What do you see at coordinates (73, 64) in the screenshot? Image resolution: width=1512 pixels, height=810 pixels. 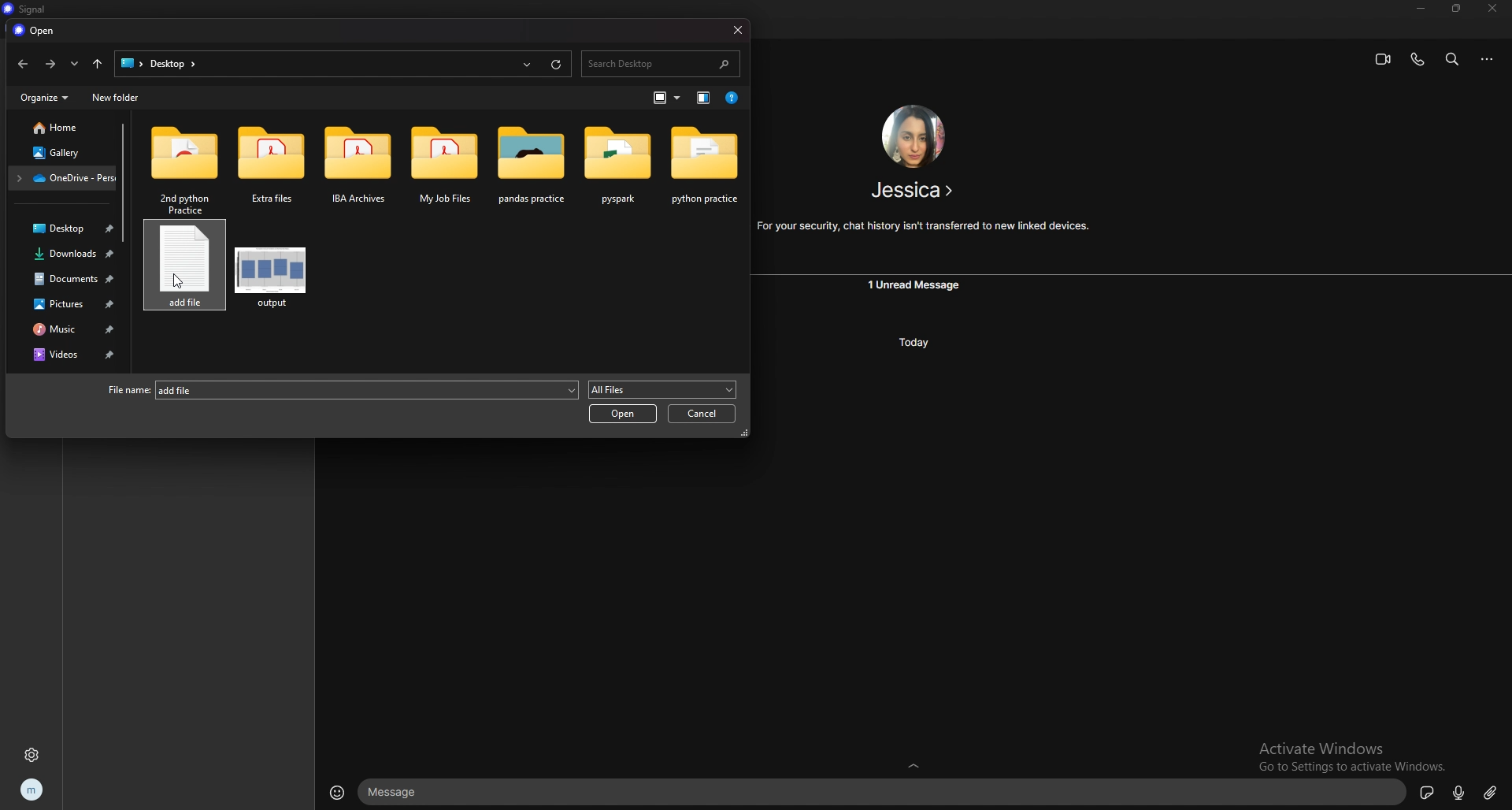 I see `recent` at bounding box center [73, 64].